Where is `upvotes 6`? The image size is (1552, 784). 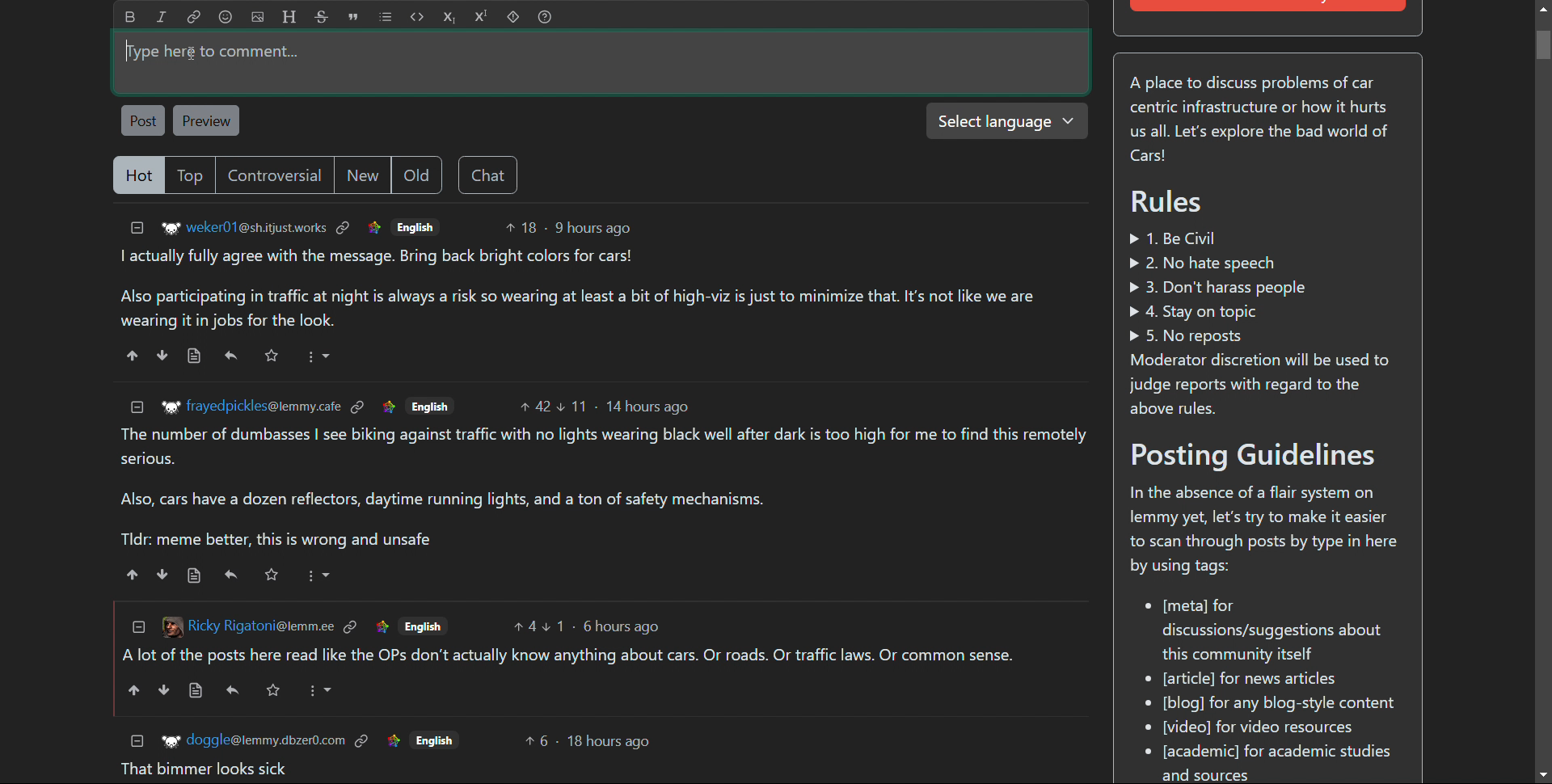 upvotes 6 is located at coordinates (538, 740).